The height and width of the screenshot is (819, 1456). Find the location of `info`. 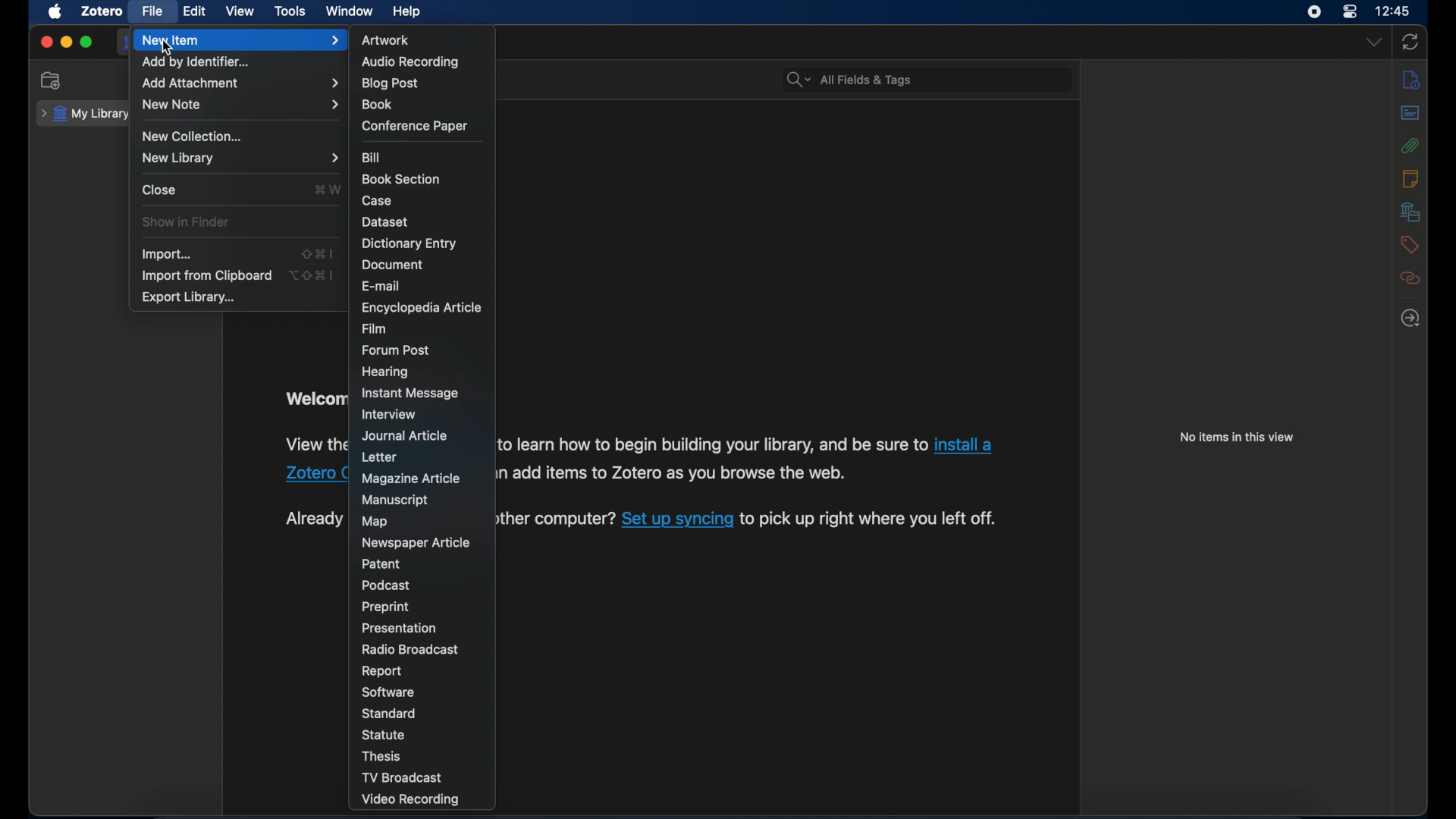

info is located at coordinates (1412, 80).